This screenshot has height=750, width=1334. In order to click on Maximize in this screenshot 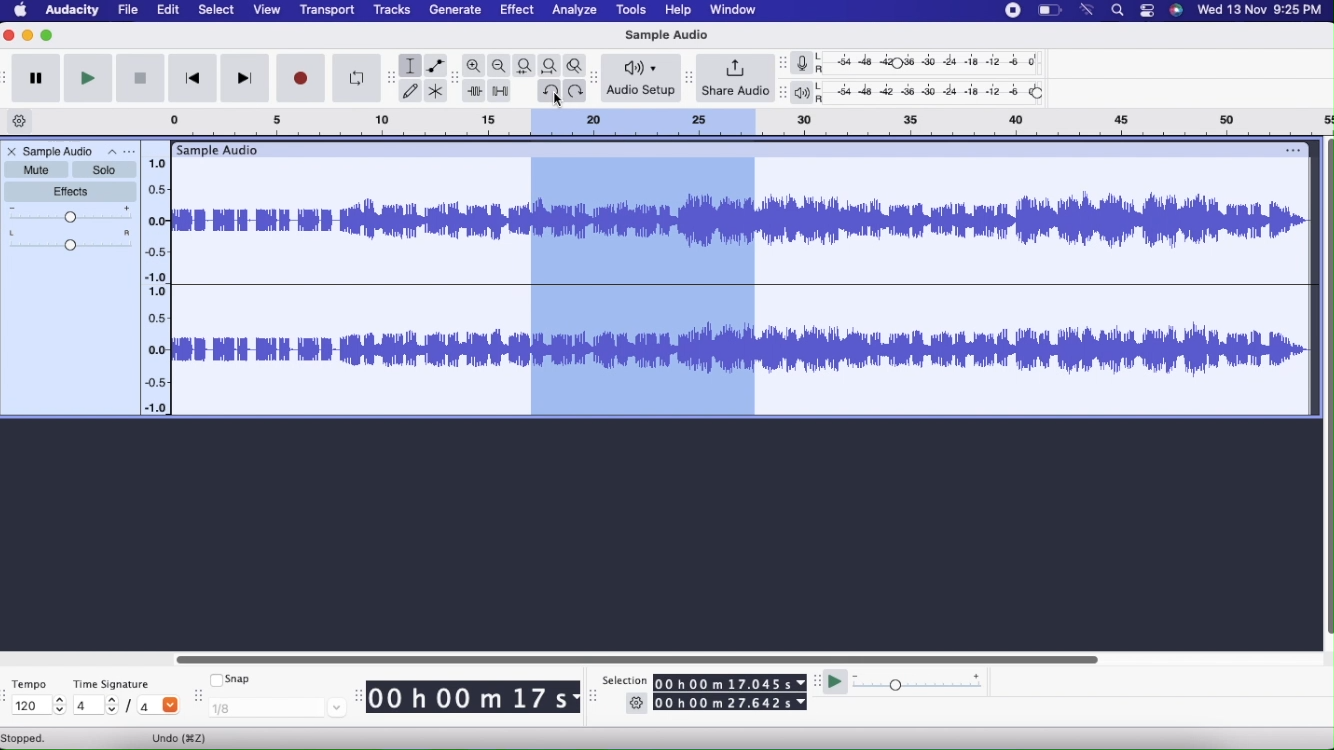, I will do `click(50, 35)`.